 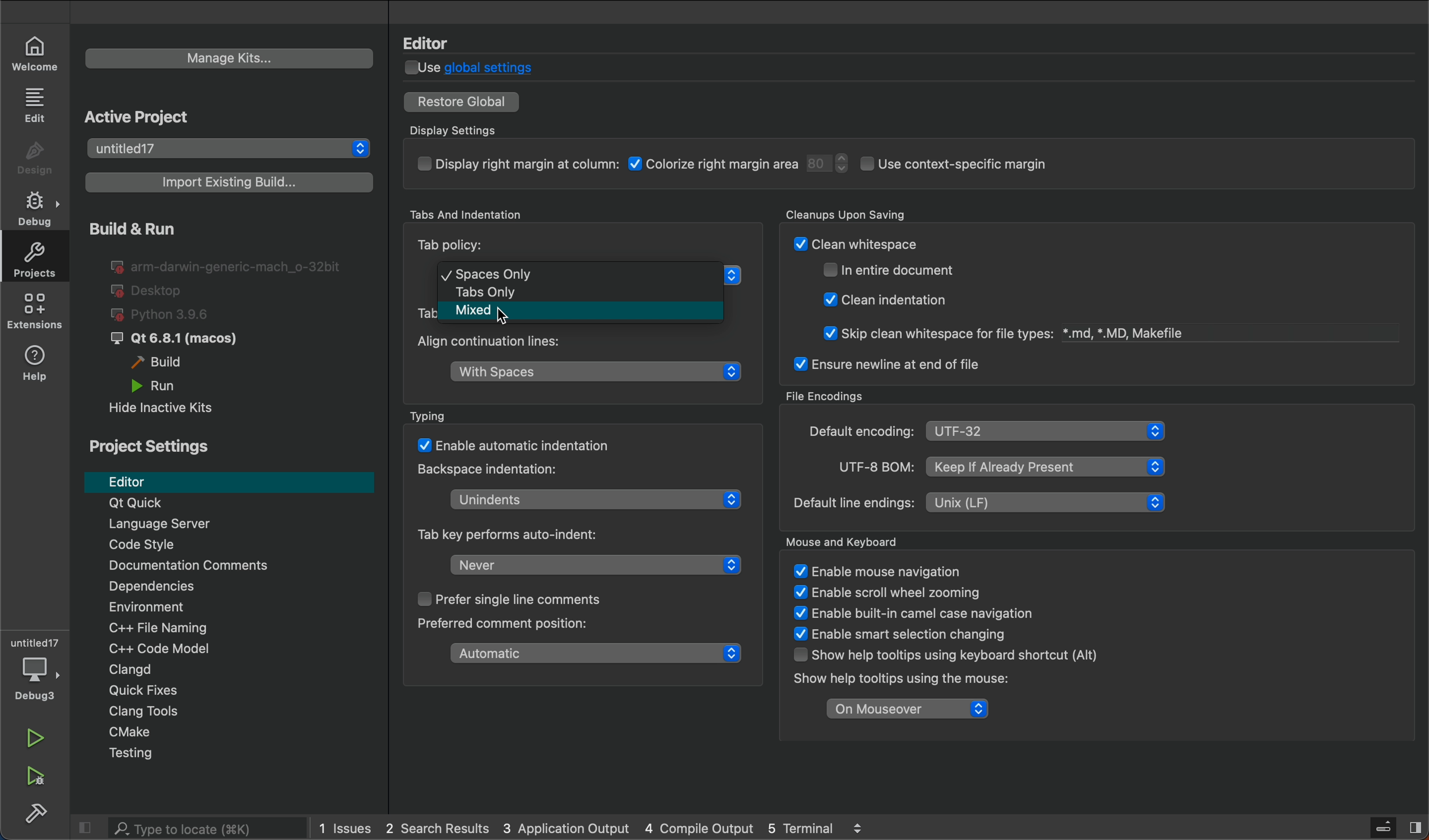 I want to click on Clangd, so click(x=240, y=671).